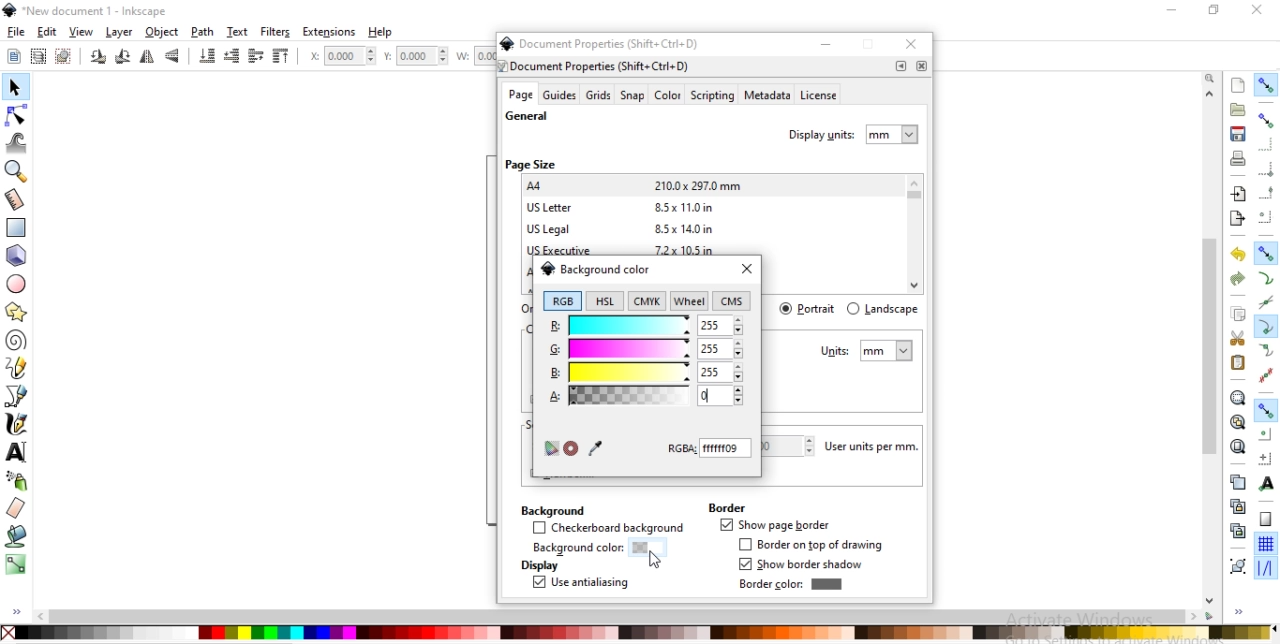 This screenshot has width=1280, height=644. Describe the element at coordinates (1266, 520) in the screenshot. I see `snap to page border` at that location.